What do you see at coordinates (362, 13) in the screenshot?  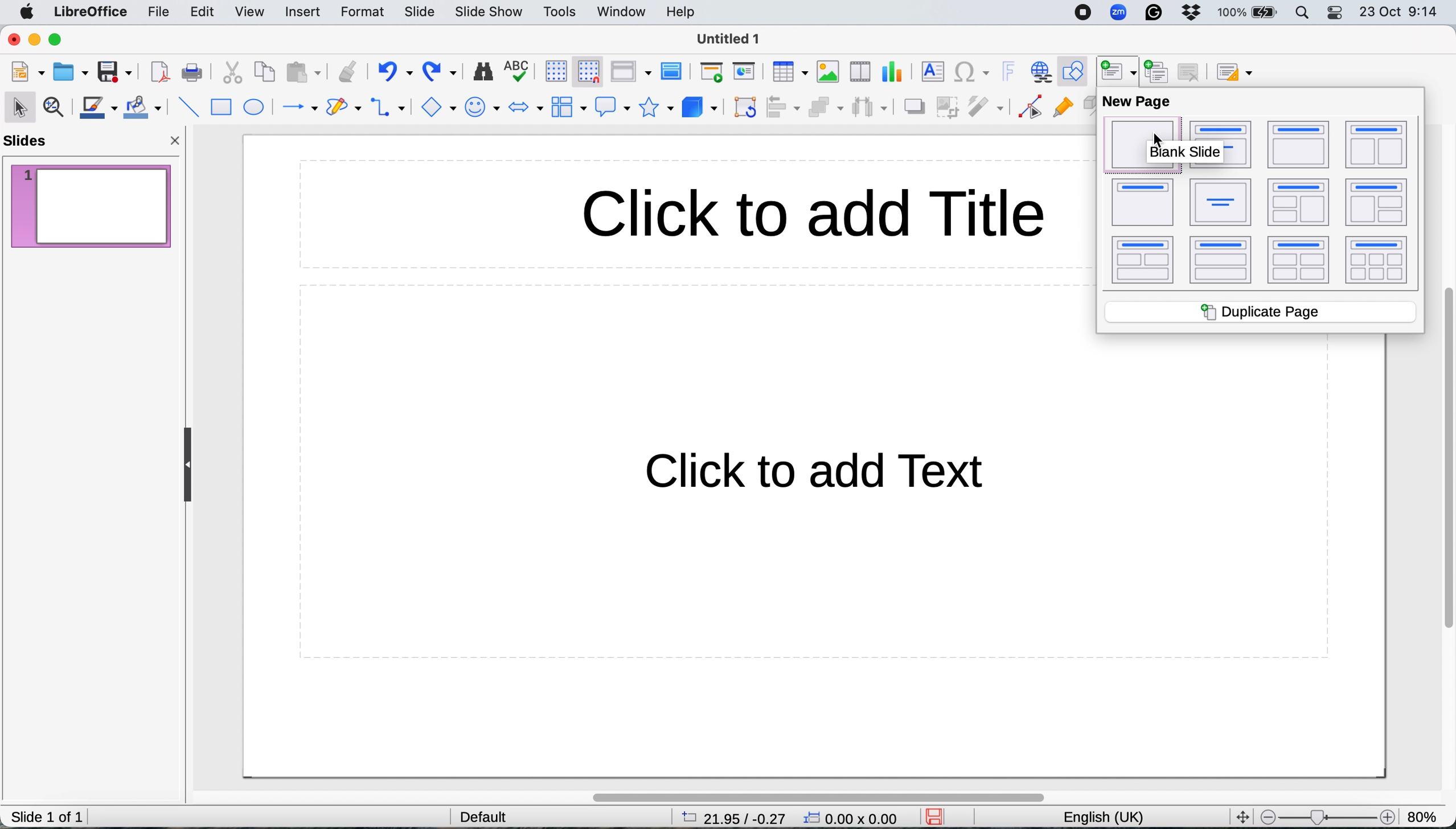 I see `format` at bounding box center [362, 13].